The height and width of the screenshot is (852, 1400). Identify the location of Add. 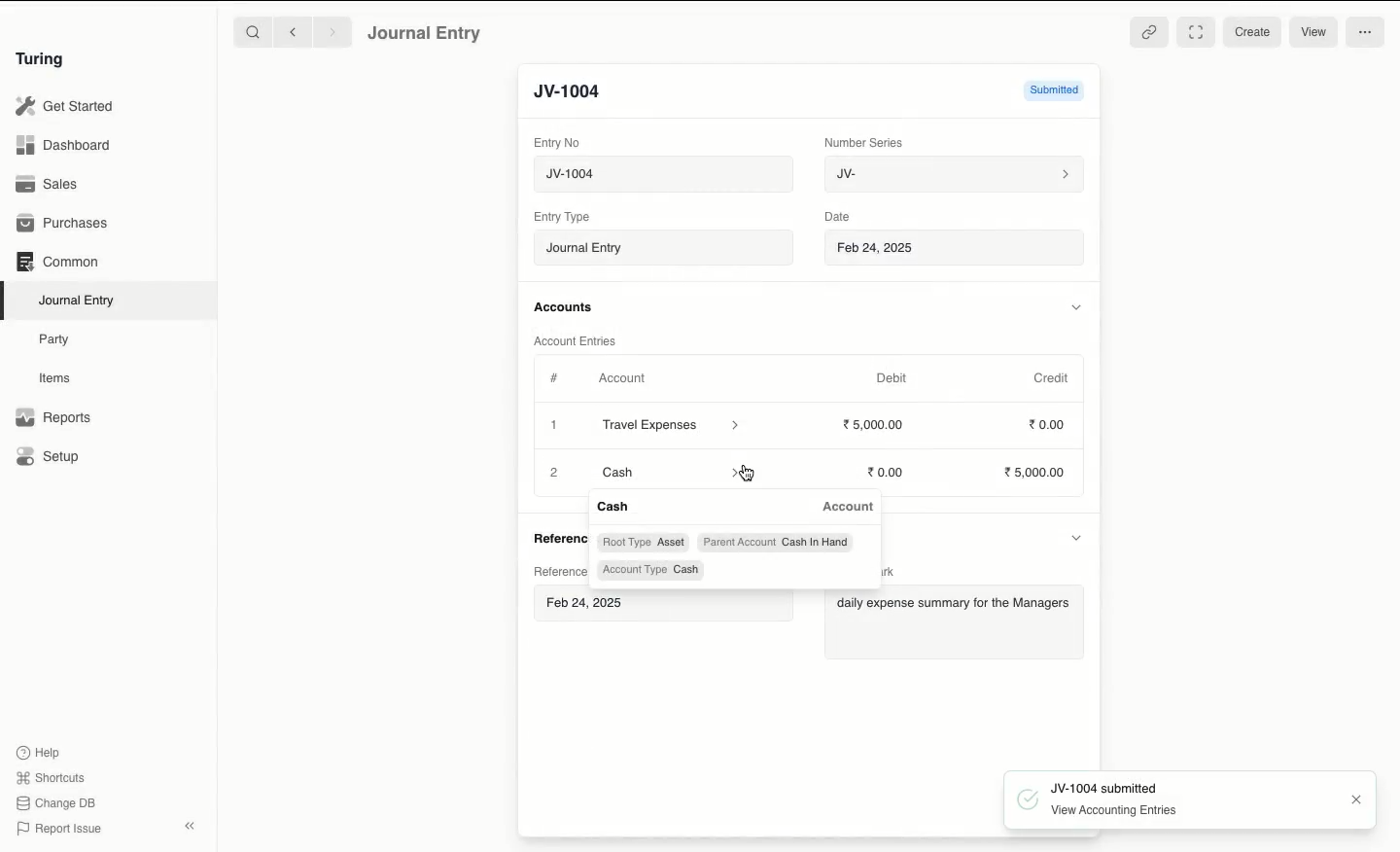
(553, 470).